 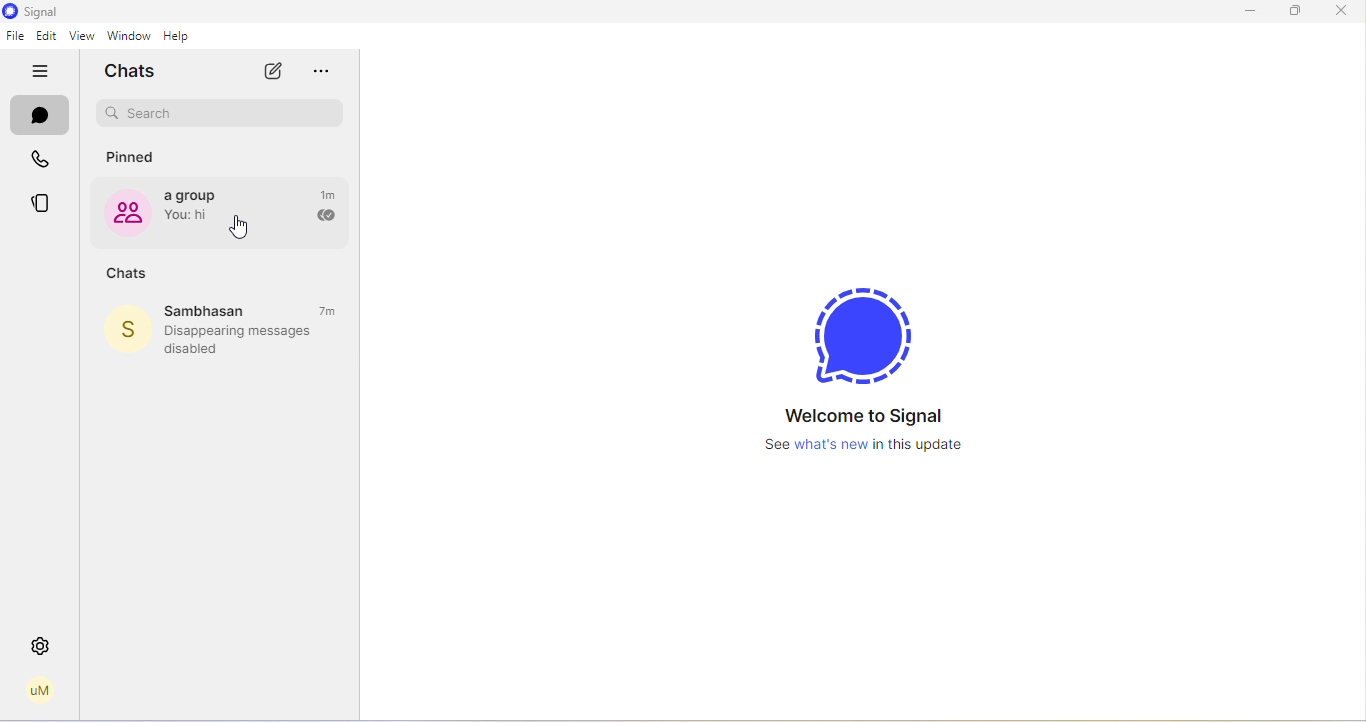 I want to click on view, so click(x=79, y=37).